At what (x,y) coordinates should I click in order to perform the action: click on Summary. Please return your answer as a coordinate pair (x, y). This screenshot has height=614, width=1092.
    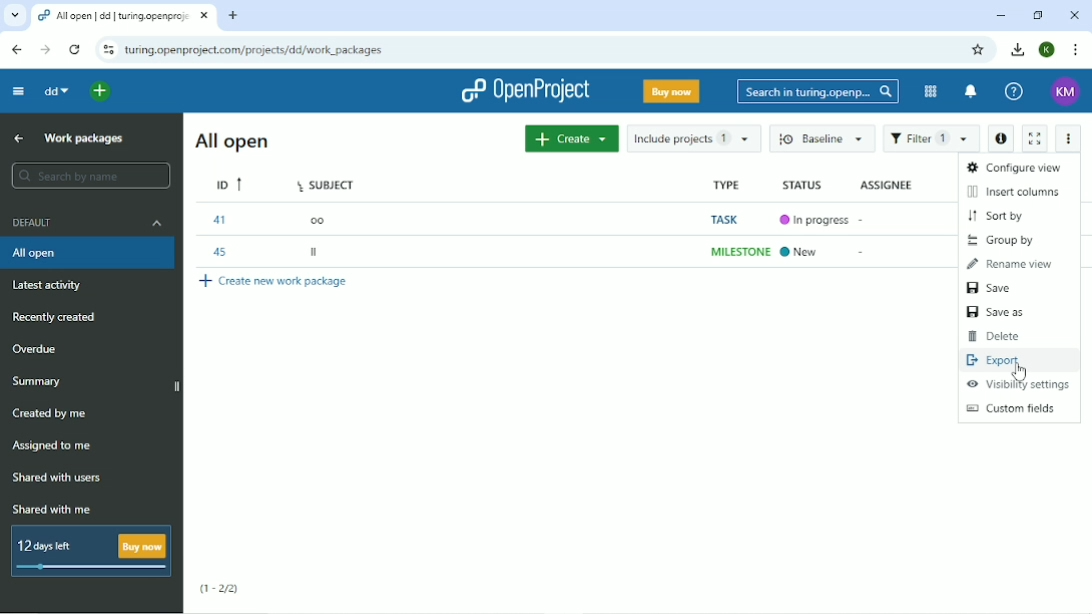
    Looking at the image, I should click on (36, 382).